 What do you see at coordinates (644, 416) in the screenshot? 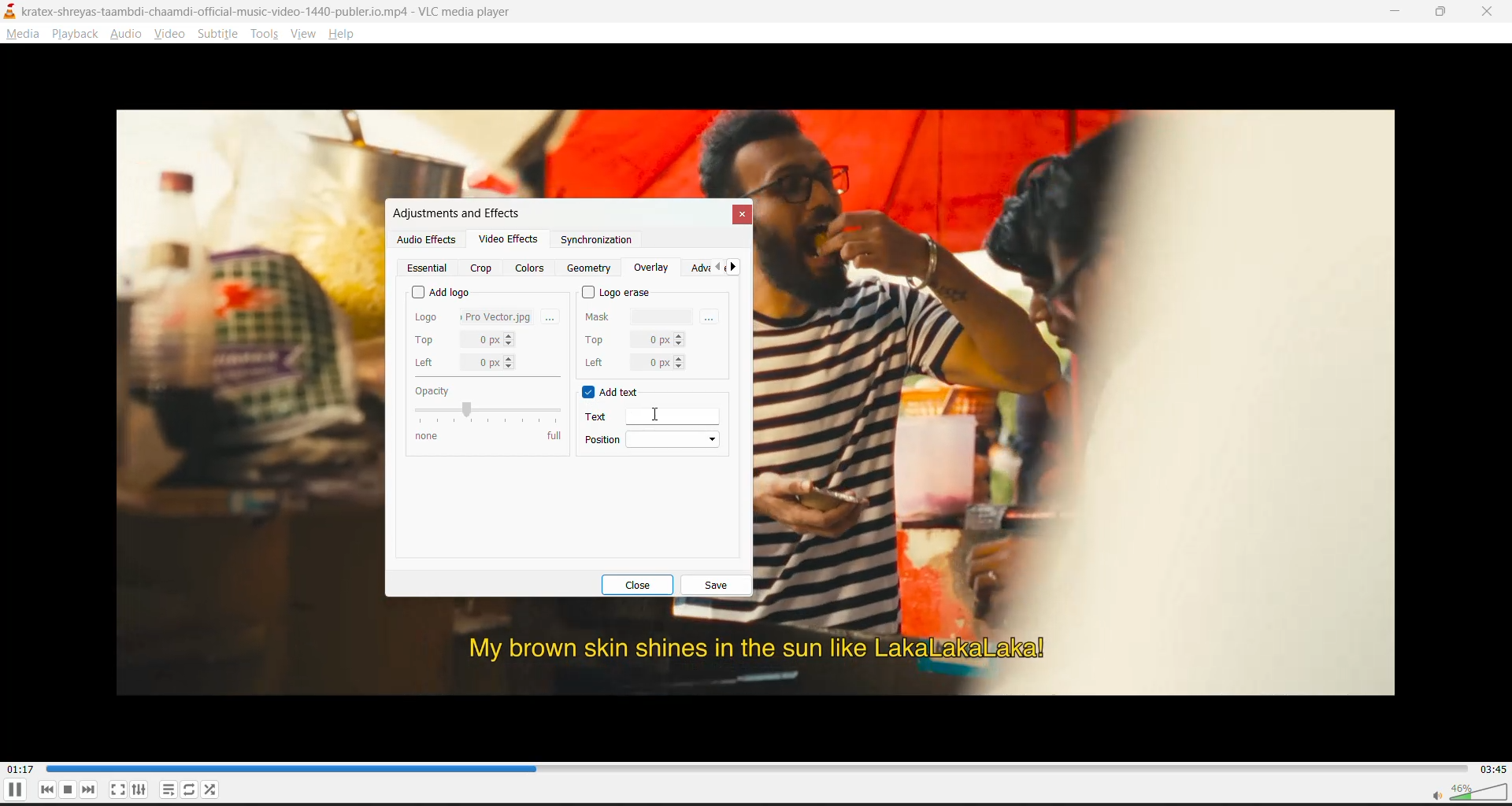
I see `text` at bounding box center [644, 416].